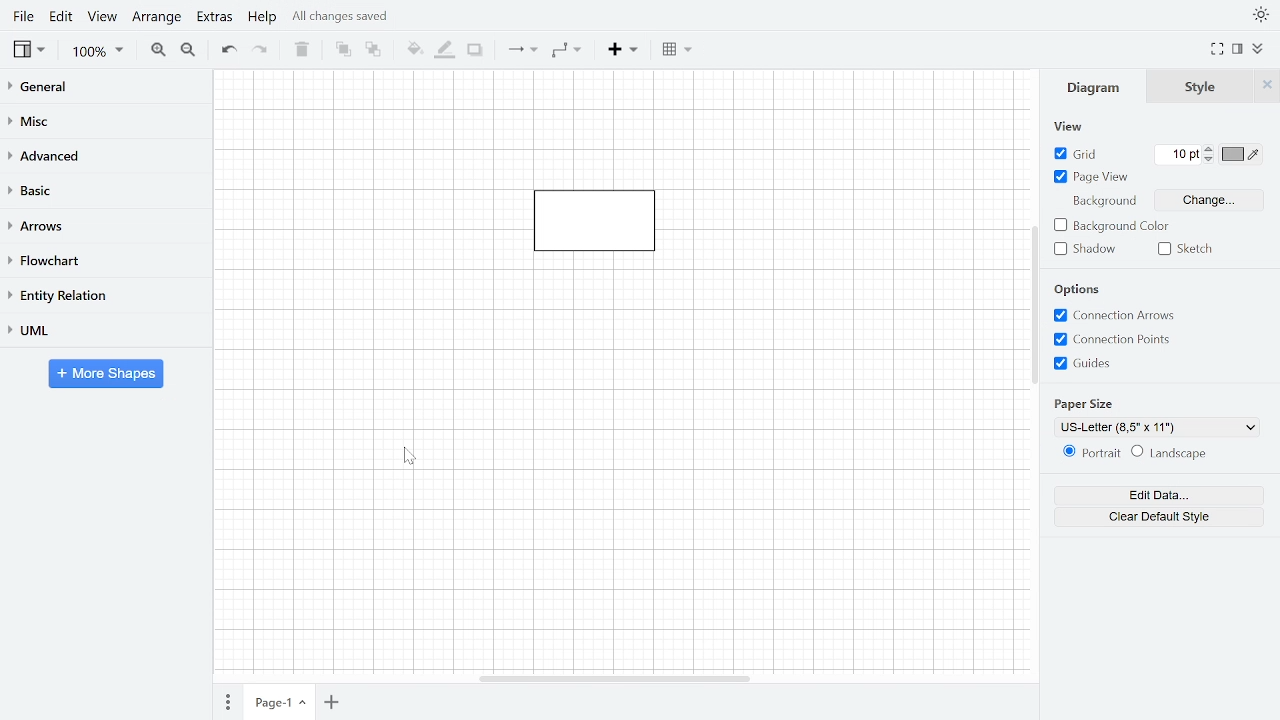 The width and height of the screenshot is (1280, 720). I want to click on More shapes, so click(110, 374).